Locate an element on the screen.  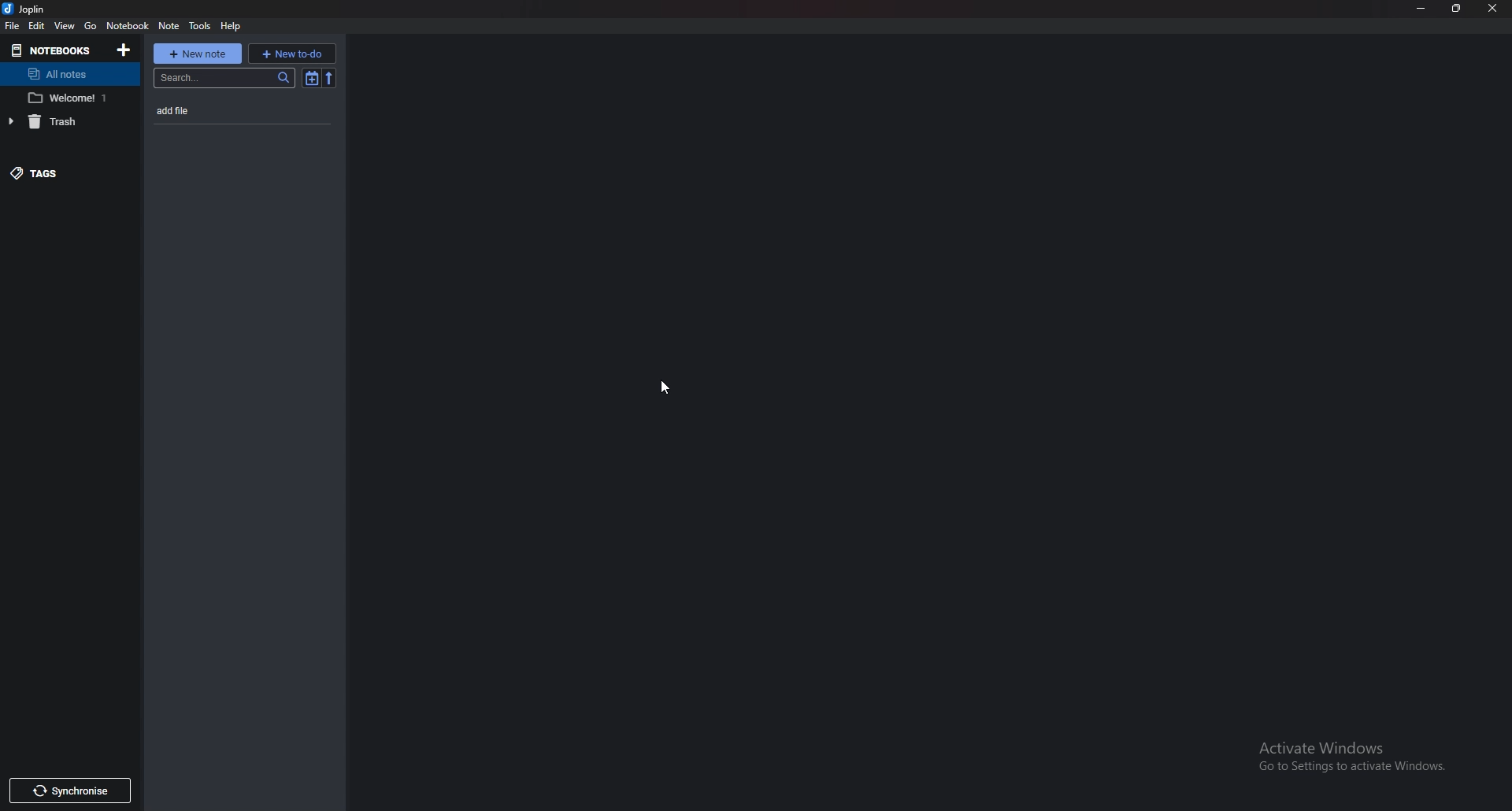
Notebooks is located at coordinates (54, 49).